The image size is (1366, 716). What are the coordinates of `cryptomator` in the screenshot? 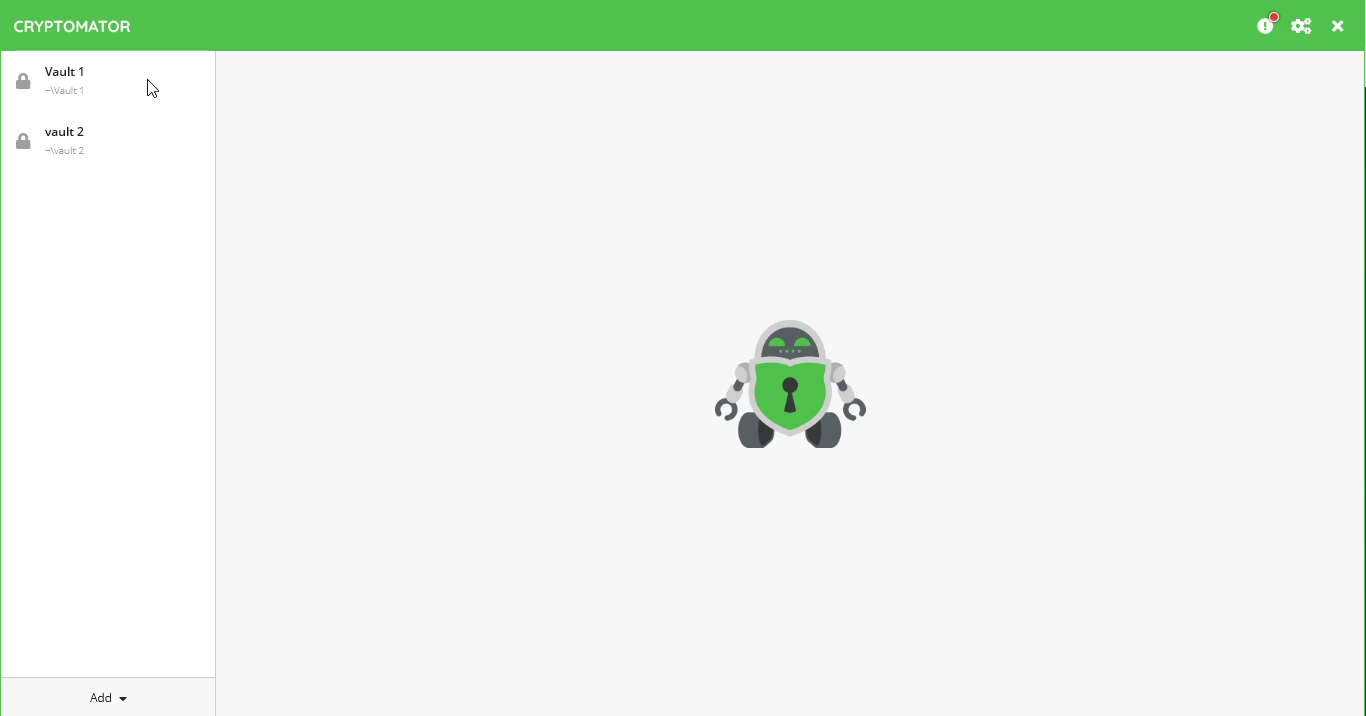 It's located at (74, 26).